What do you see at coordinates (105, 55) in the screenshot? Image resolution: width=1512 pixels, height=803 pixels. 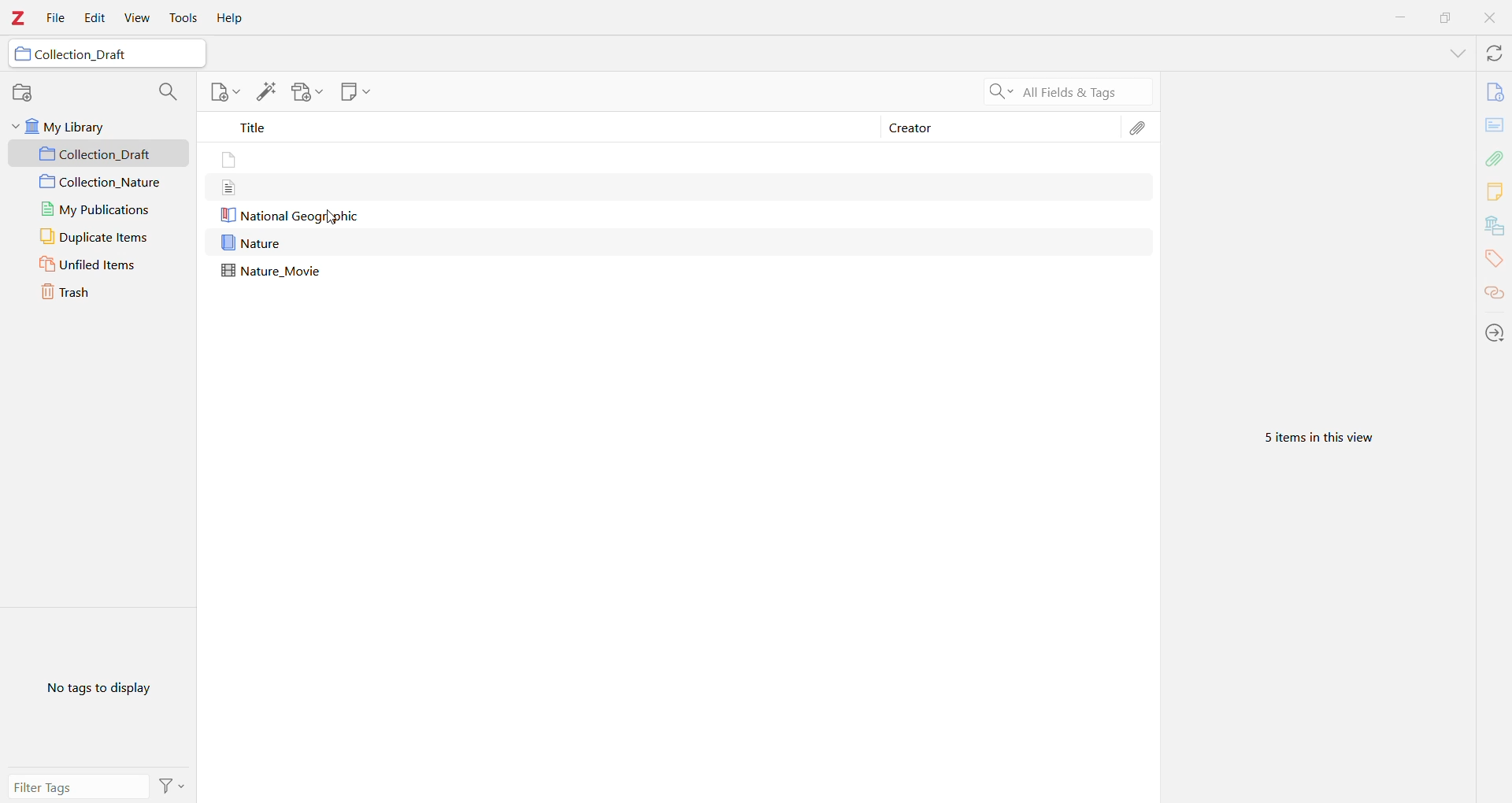 I see `Collection_Draft` at bounding box center [105, 55].